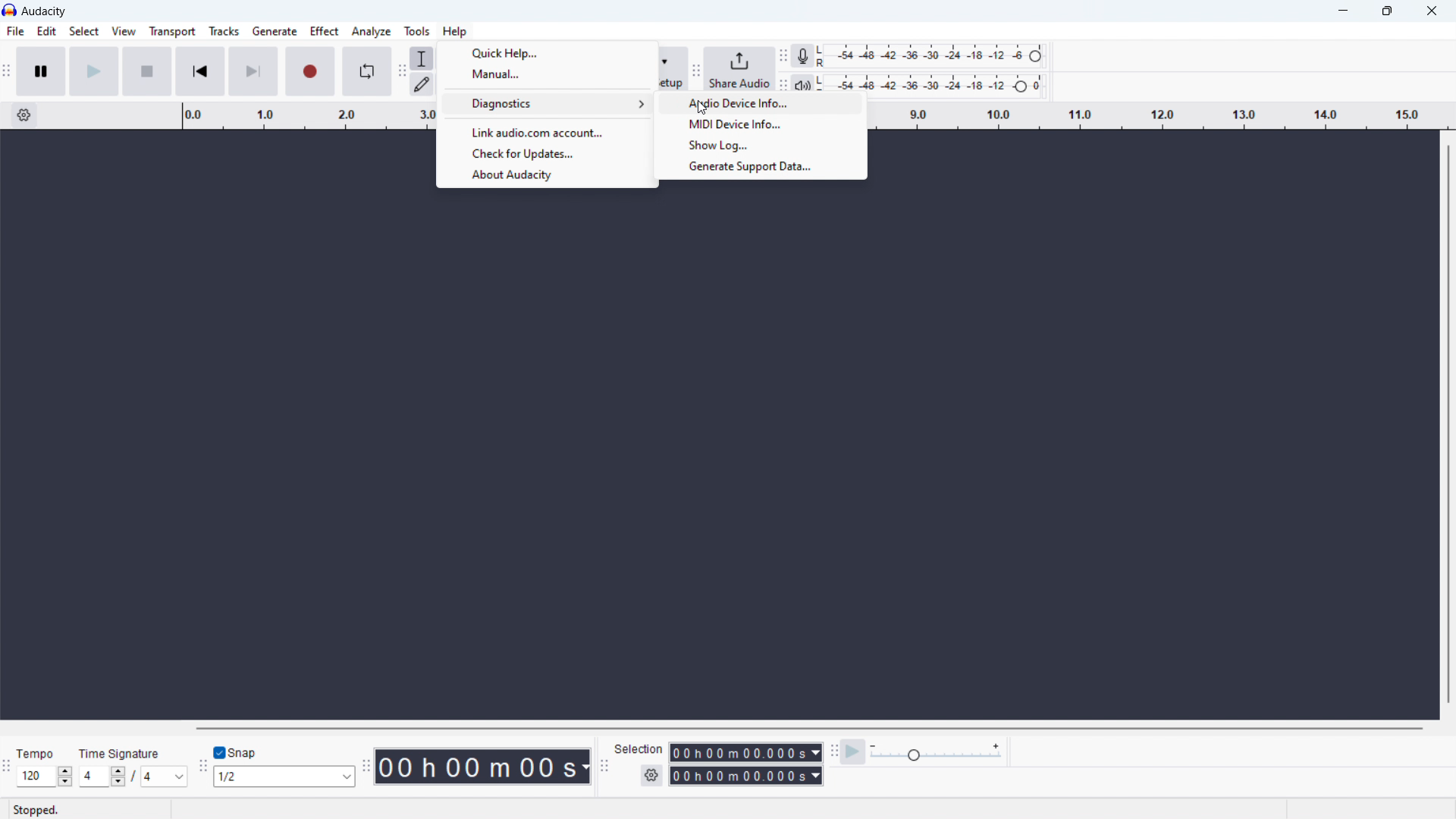 This screenshot has width=1456, height=819. Describe the element at coordinates (24, 116) in the screenshot. I see `timeline settings` at that location.